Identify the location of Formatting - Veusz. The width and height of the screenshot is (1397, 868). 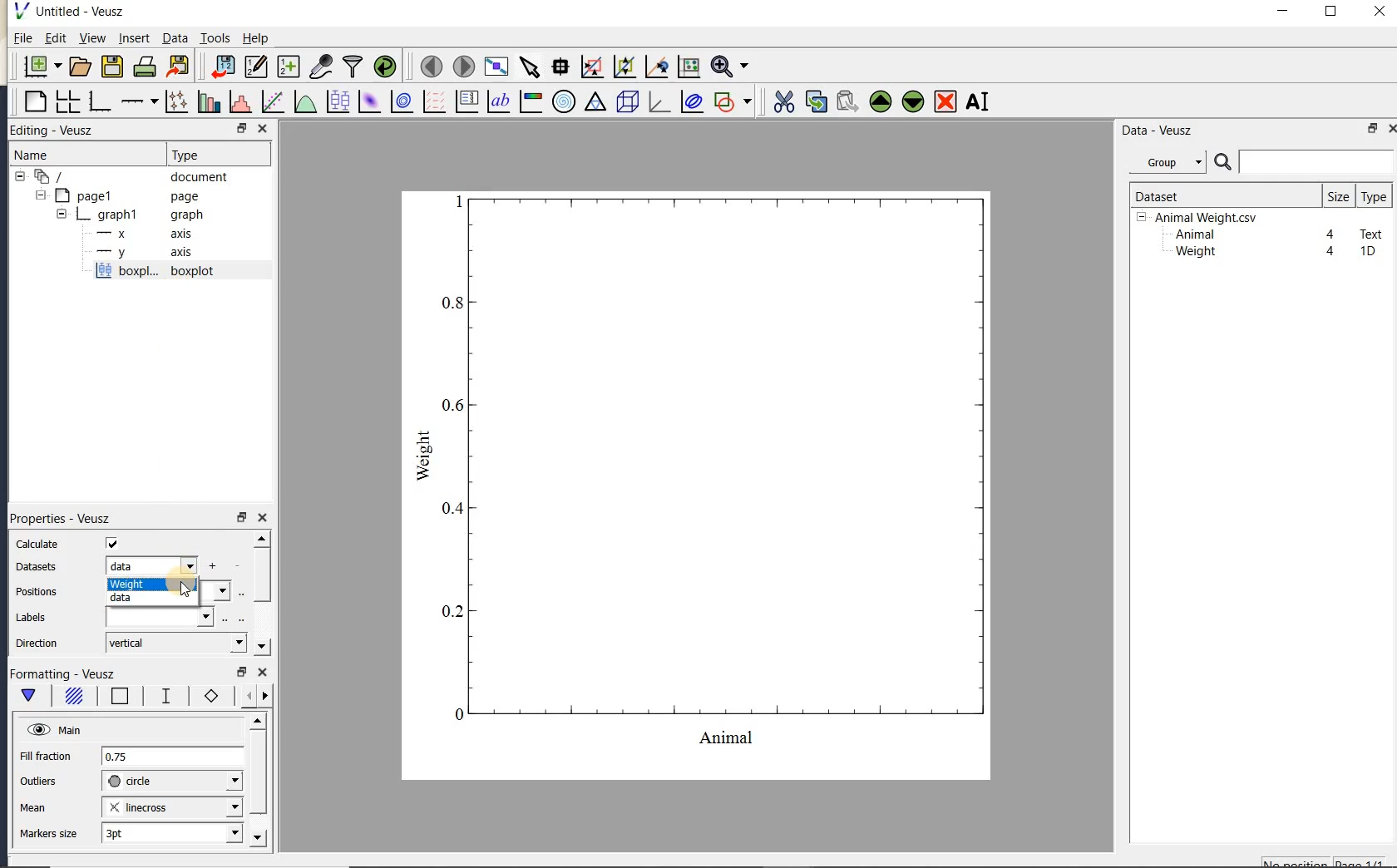
(67, 674).